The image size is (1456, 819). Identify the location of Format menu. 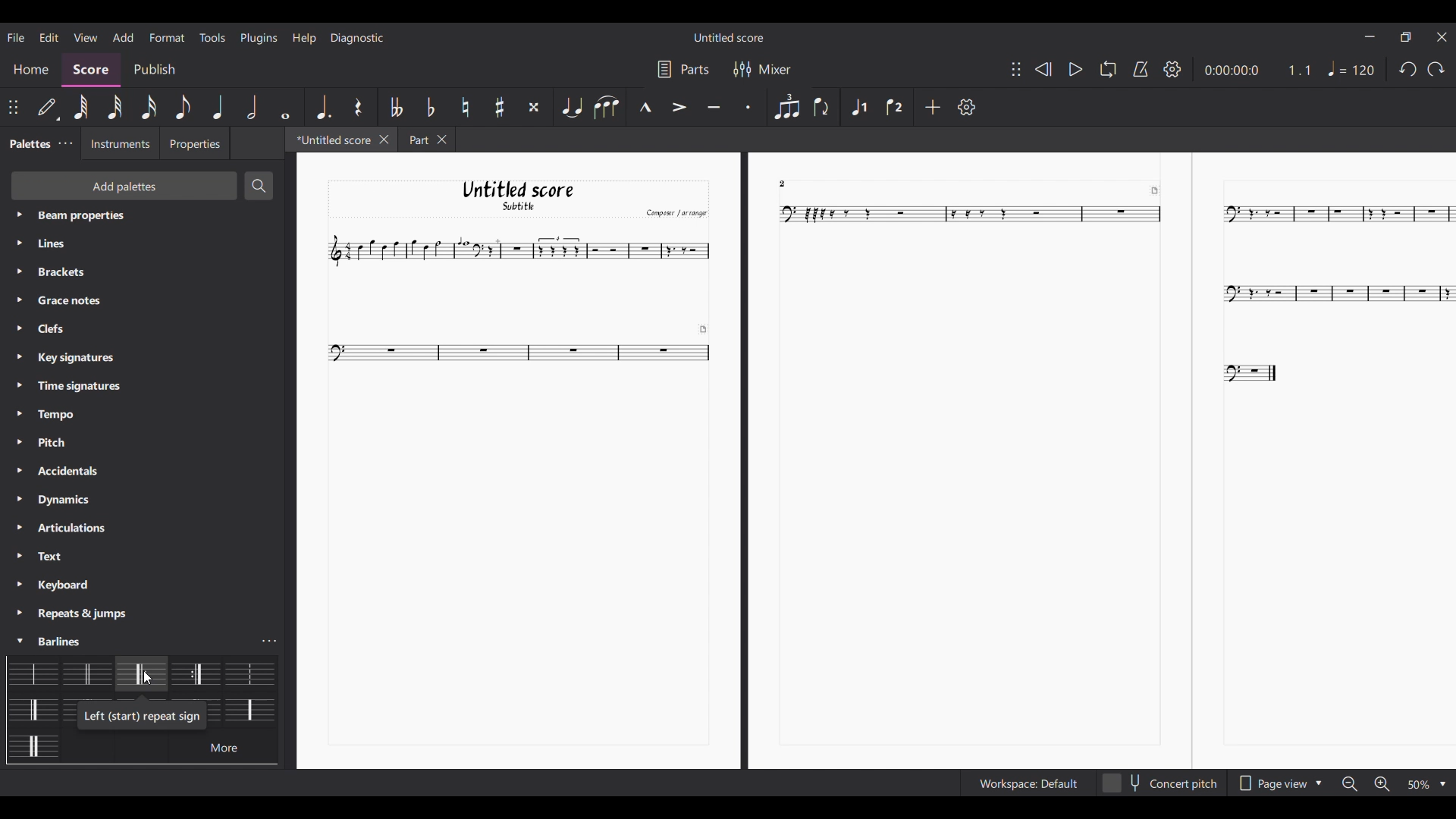
(166, 37).